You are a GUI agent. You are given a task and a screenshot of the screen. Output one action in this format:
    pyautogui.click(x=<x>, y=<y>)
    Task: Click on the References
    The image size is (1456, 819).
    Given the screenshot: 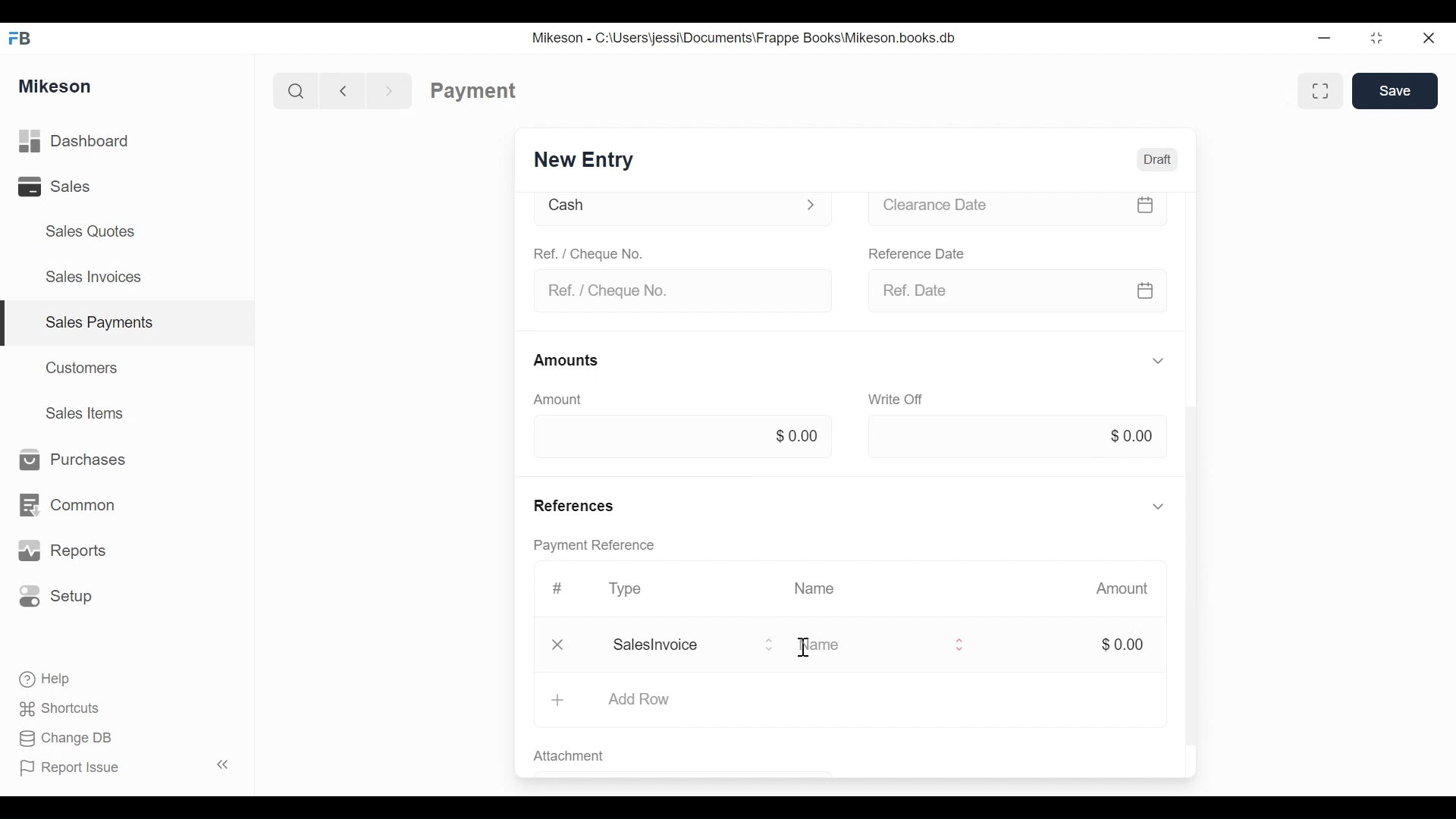 What is the action you would take?
    pyautogui.click(x=581, y=505)
    